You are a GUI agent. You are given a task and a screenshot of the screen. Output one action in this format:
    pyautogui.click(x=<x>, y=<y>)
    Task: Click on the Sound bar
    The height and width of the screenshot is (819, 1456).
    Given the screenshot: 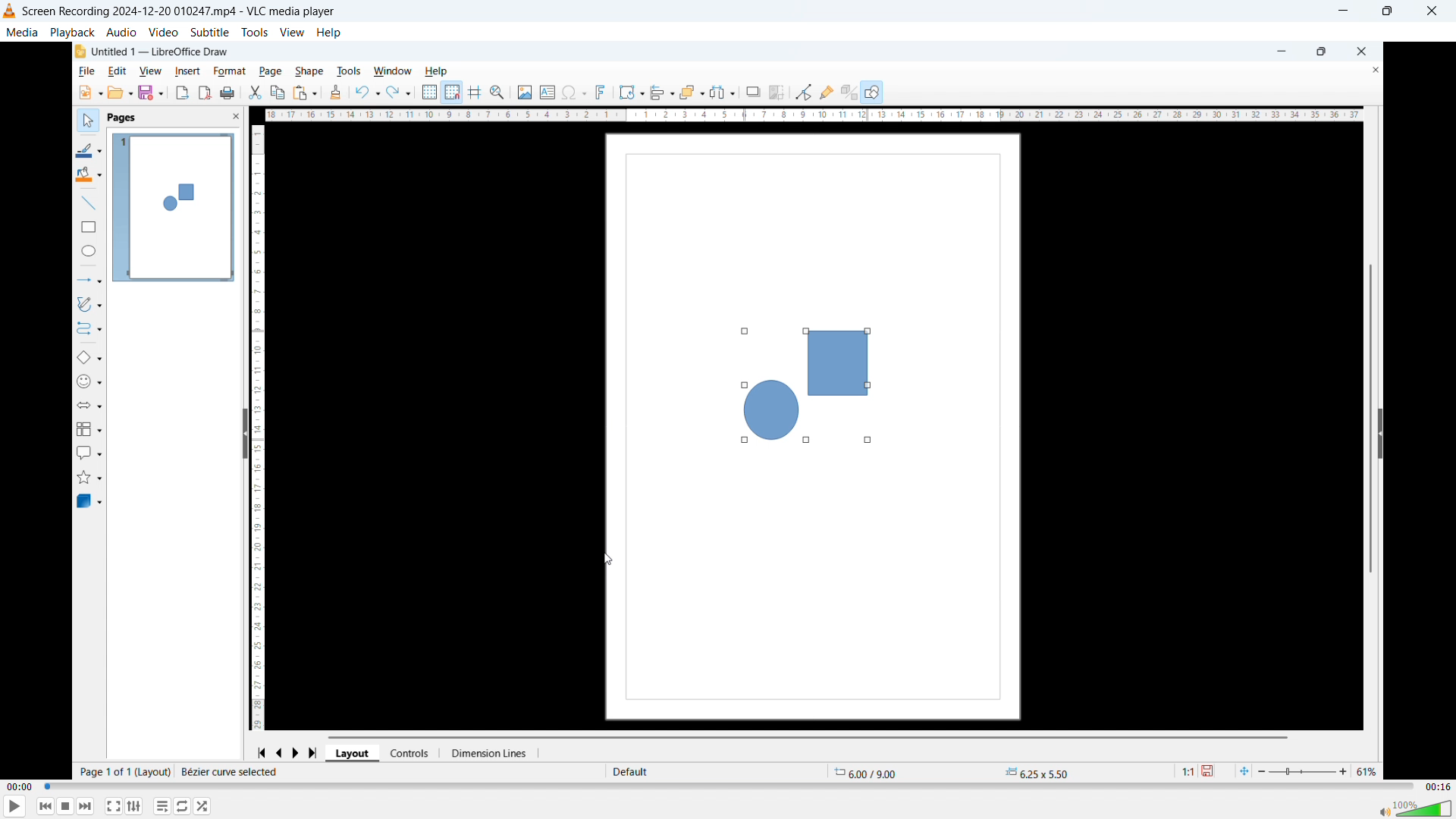 What is the action you would take?
    pyautogui.click(x=1415, y=808)
    